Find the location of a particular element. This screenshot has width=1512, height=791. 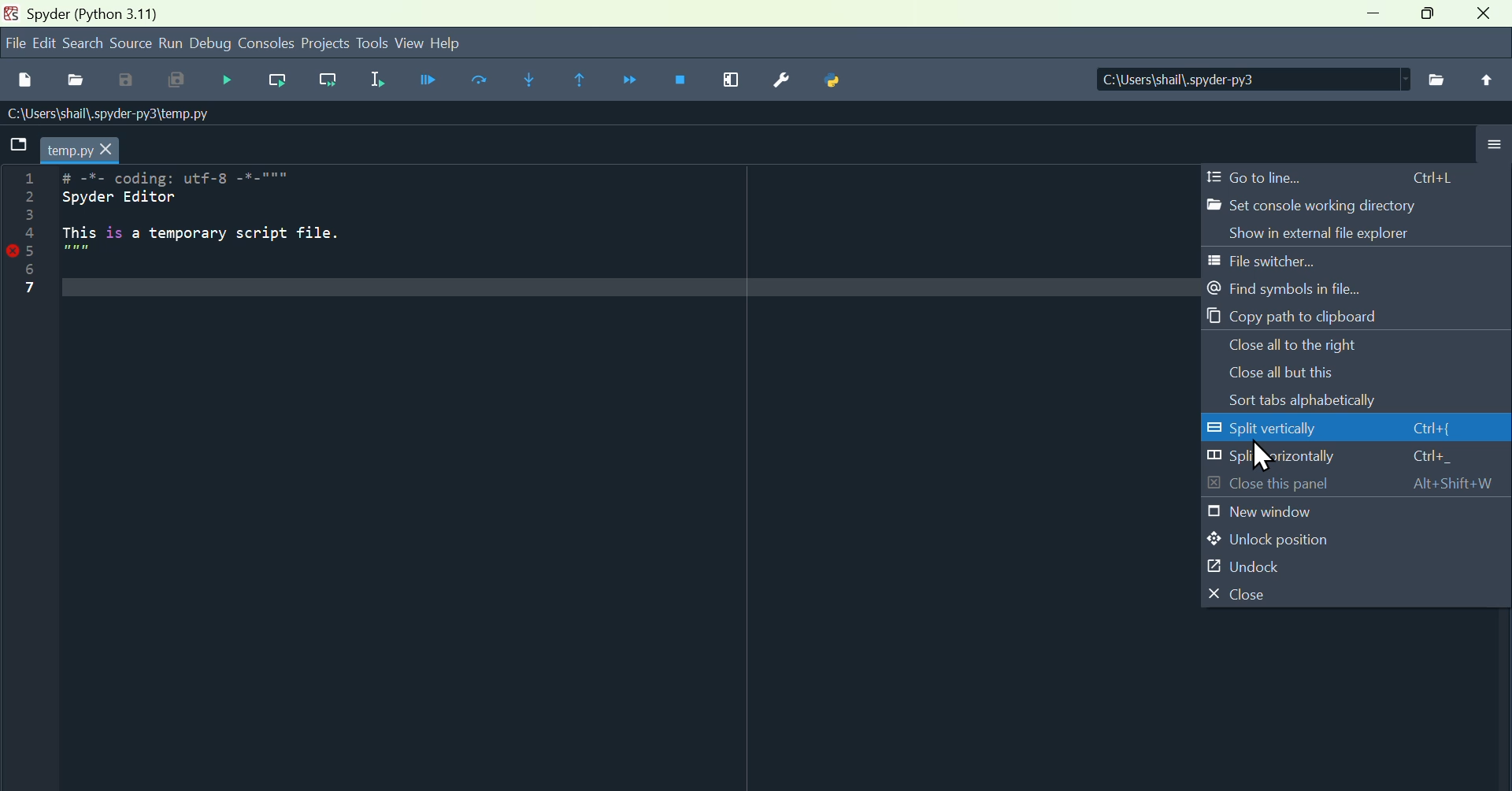

New window is located at coordinates (1355, 514).